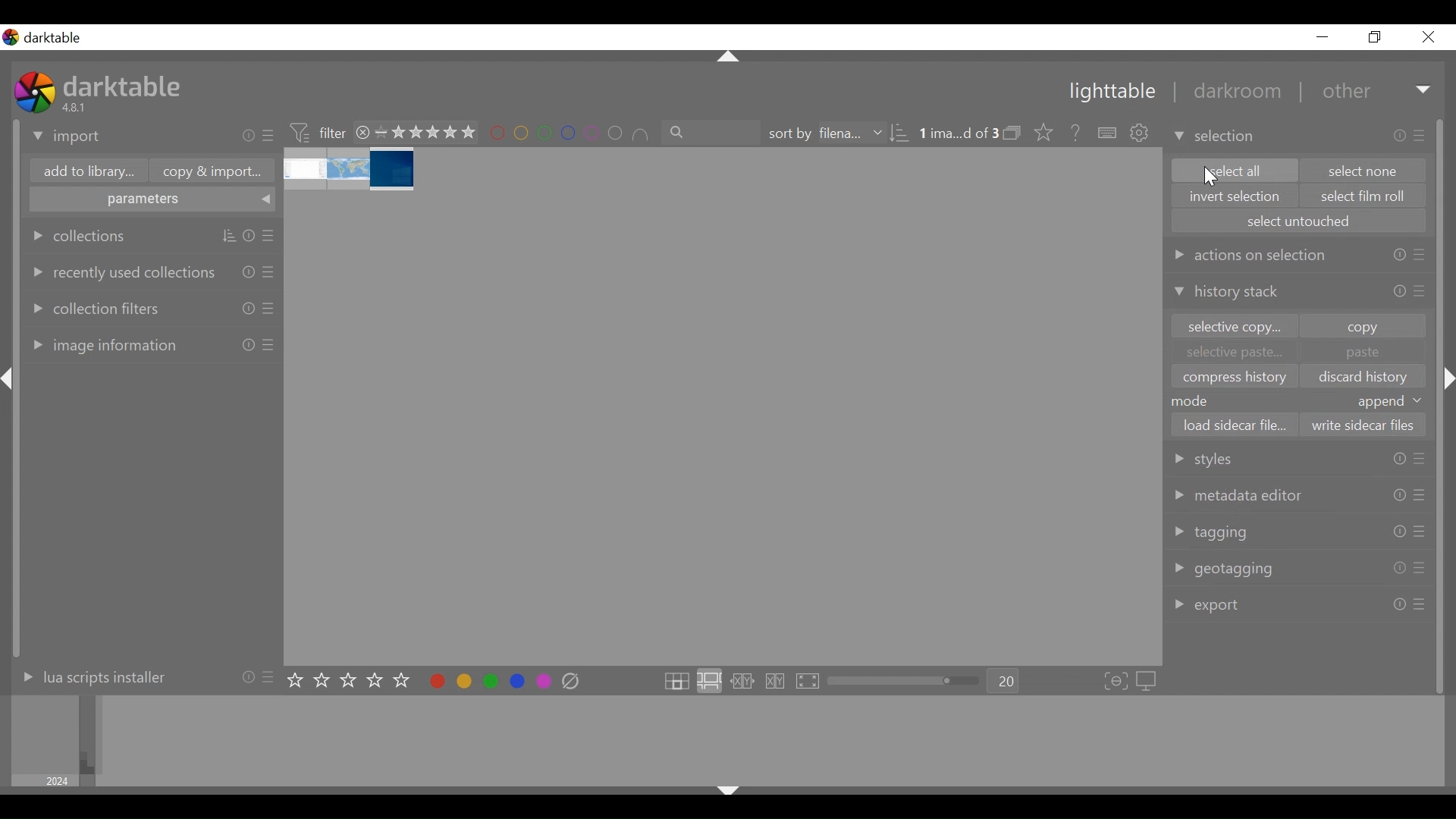 Image resolution: width=1456 pixels, height=819 pixels. Describe the element at coordinates (317, 131) in the screenshot. I see `filter` at that location.